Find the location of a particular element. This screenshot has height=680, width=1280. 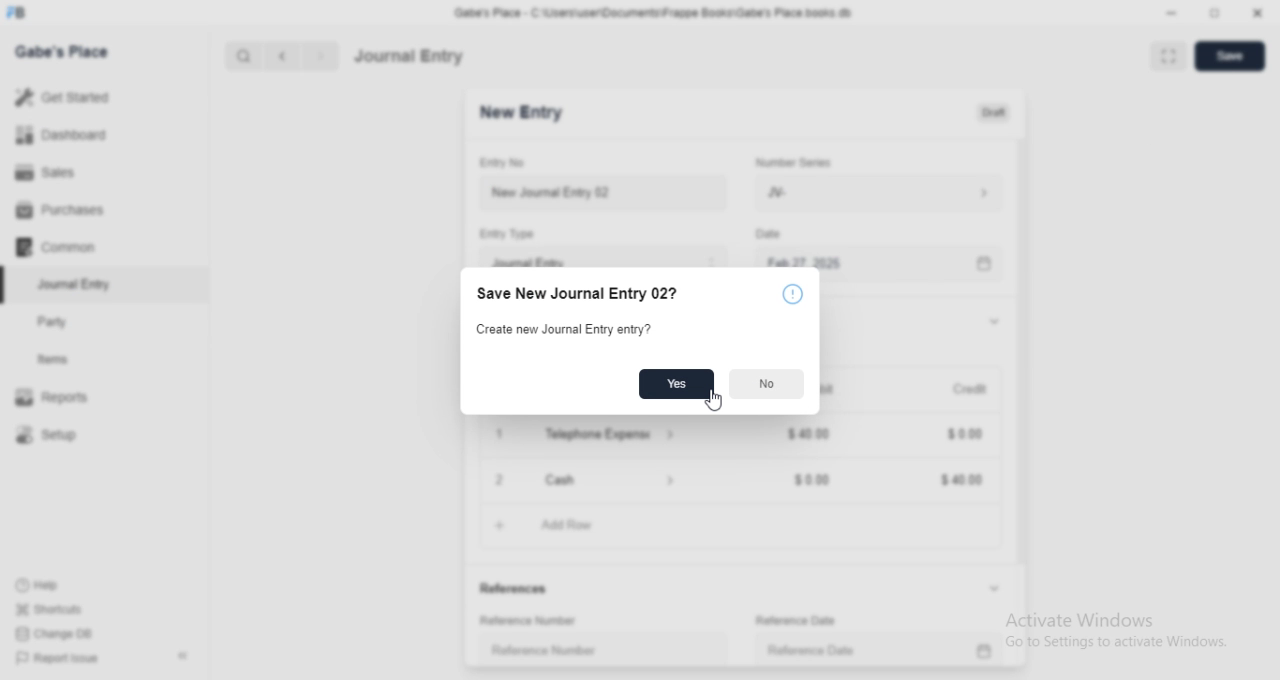

Yes is located at coordinates (677, 384).